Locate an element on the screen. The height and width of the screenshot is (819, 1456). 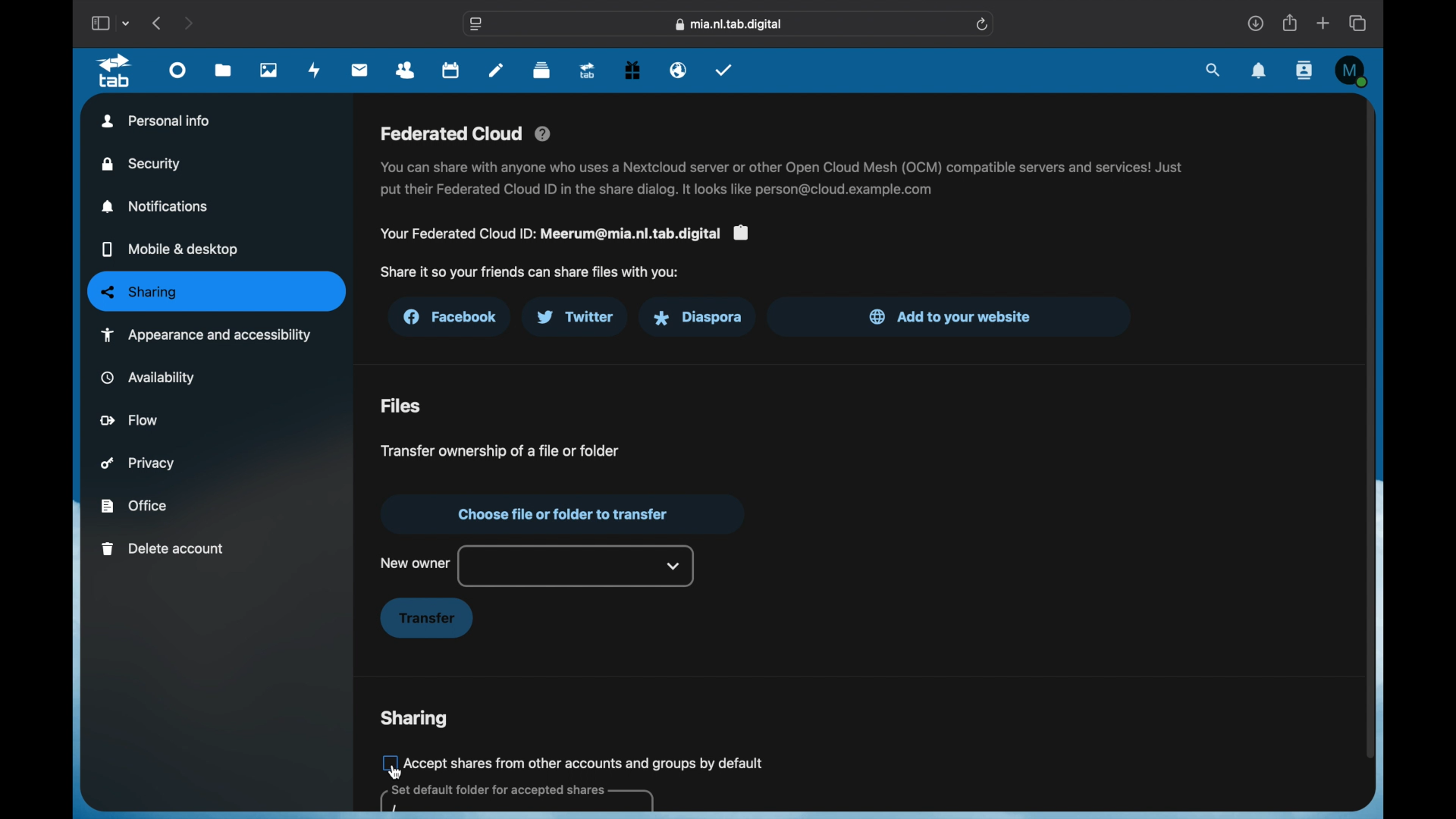
contacts is located at coordinates (1303, 70).